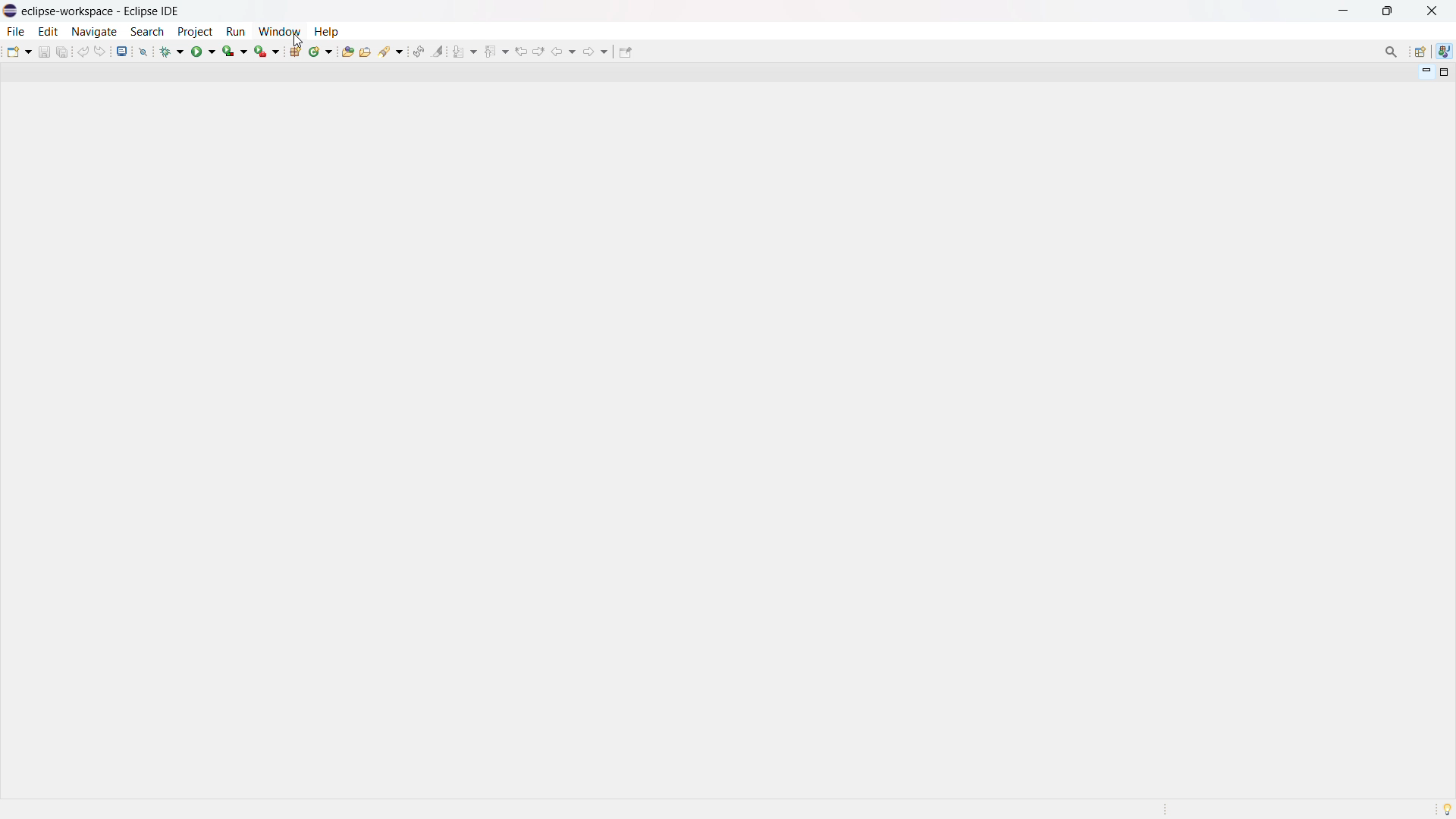 The image size is (1456, 819). What do you see at coordinates (496, 51) in the screenshot?
I see `previous annotation` at bounding box center [496, 51].